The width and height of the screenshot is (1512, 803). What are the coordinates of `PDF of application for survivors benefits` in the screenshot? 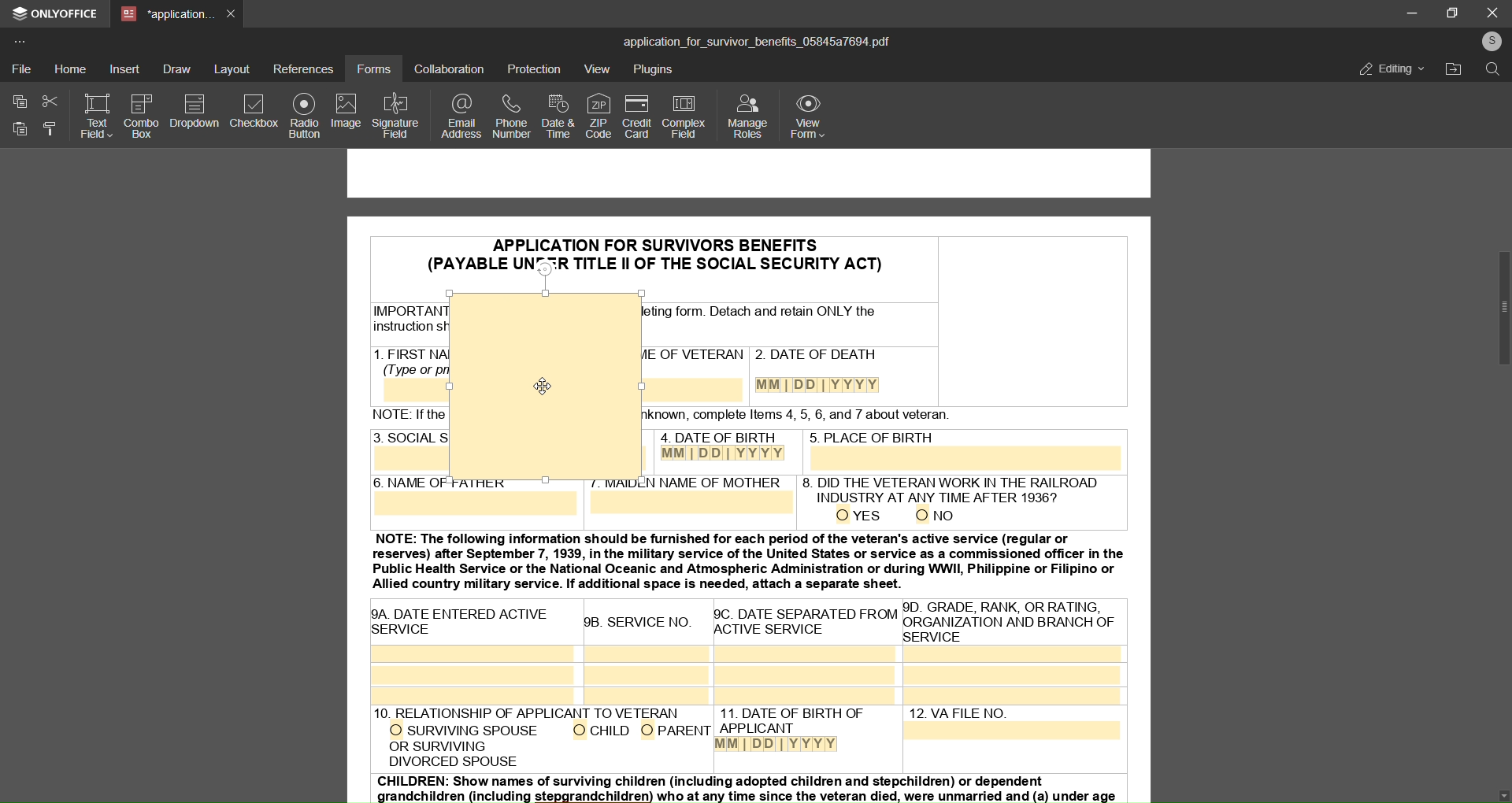 It's located at (542, 238).